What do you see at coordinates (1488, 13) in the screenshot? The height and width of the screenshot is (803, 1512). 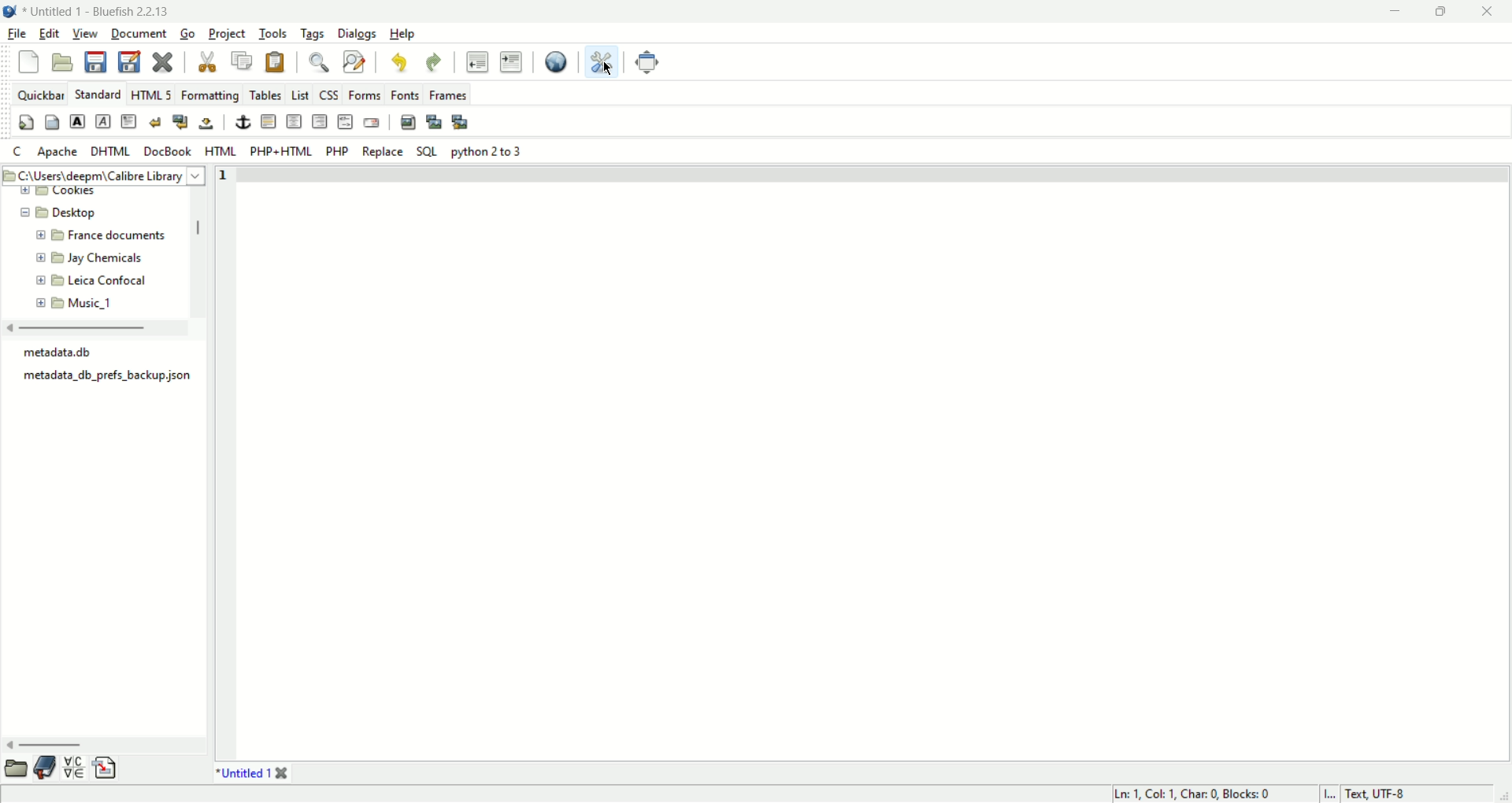 I see `close` at bounding box center [1488, 13].